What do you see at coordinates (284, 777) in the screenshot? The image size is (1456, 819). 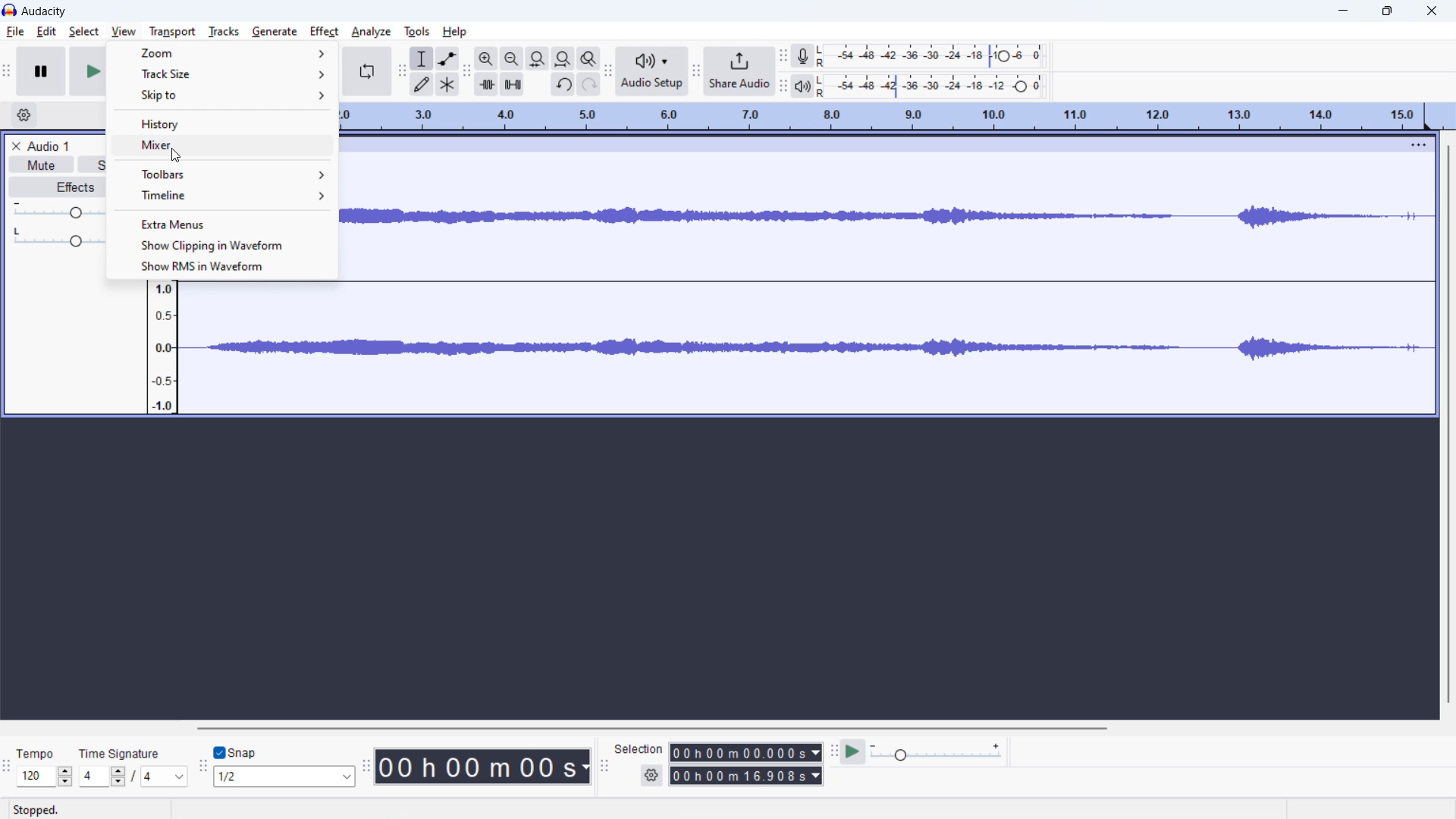 I see `select snap` at bounding box center [284, 777].